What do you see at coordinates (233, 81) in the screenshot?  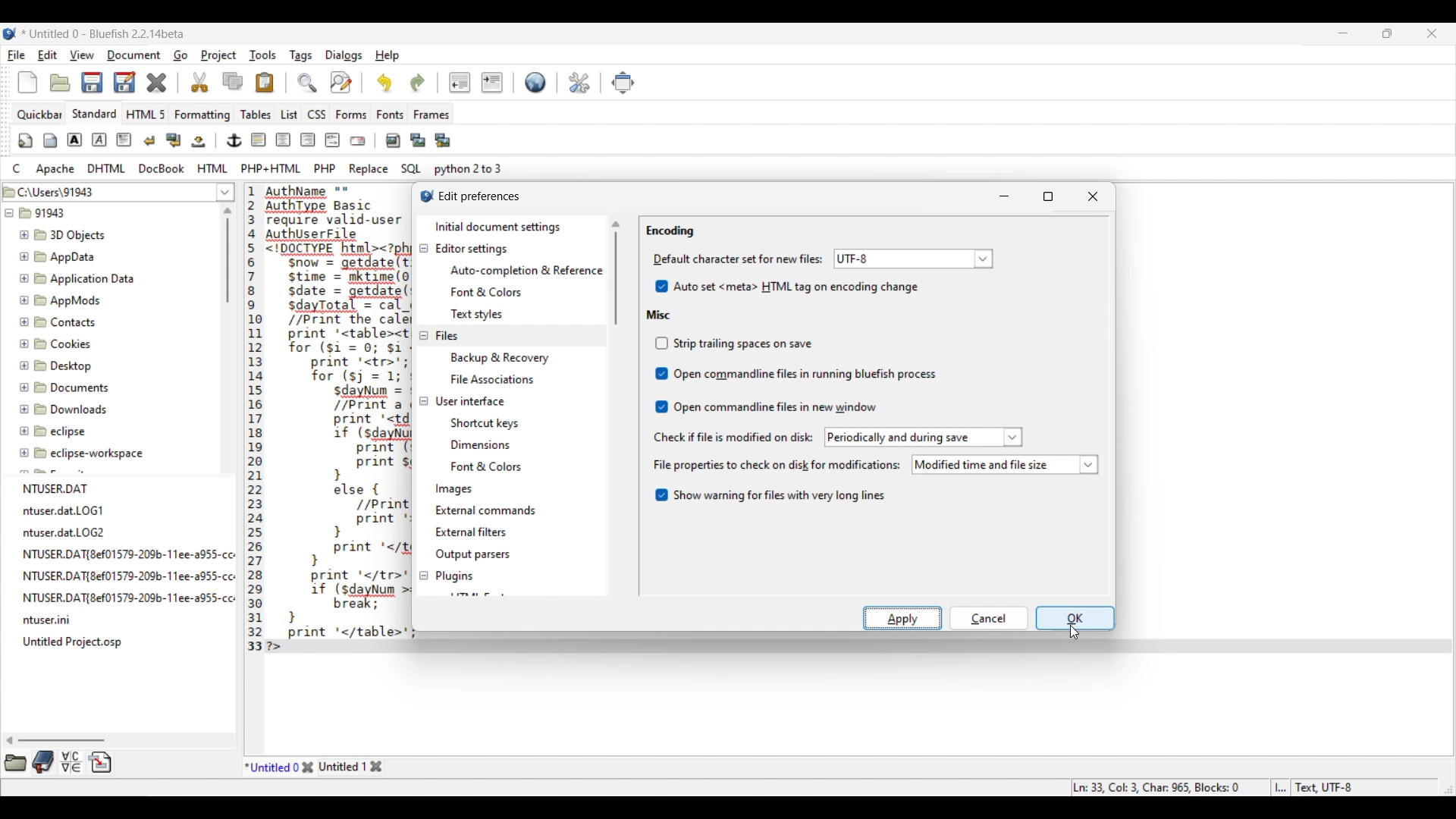 I see `Copy` at bounding box center [233, 81].